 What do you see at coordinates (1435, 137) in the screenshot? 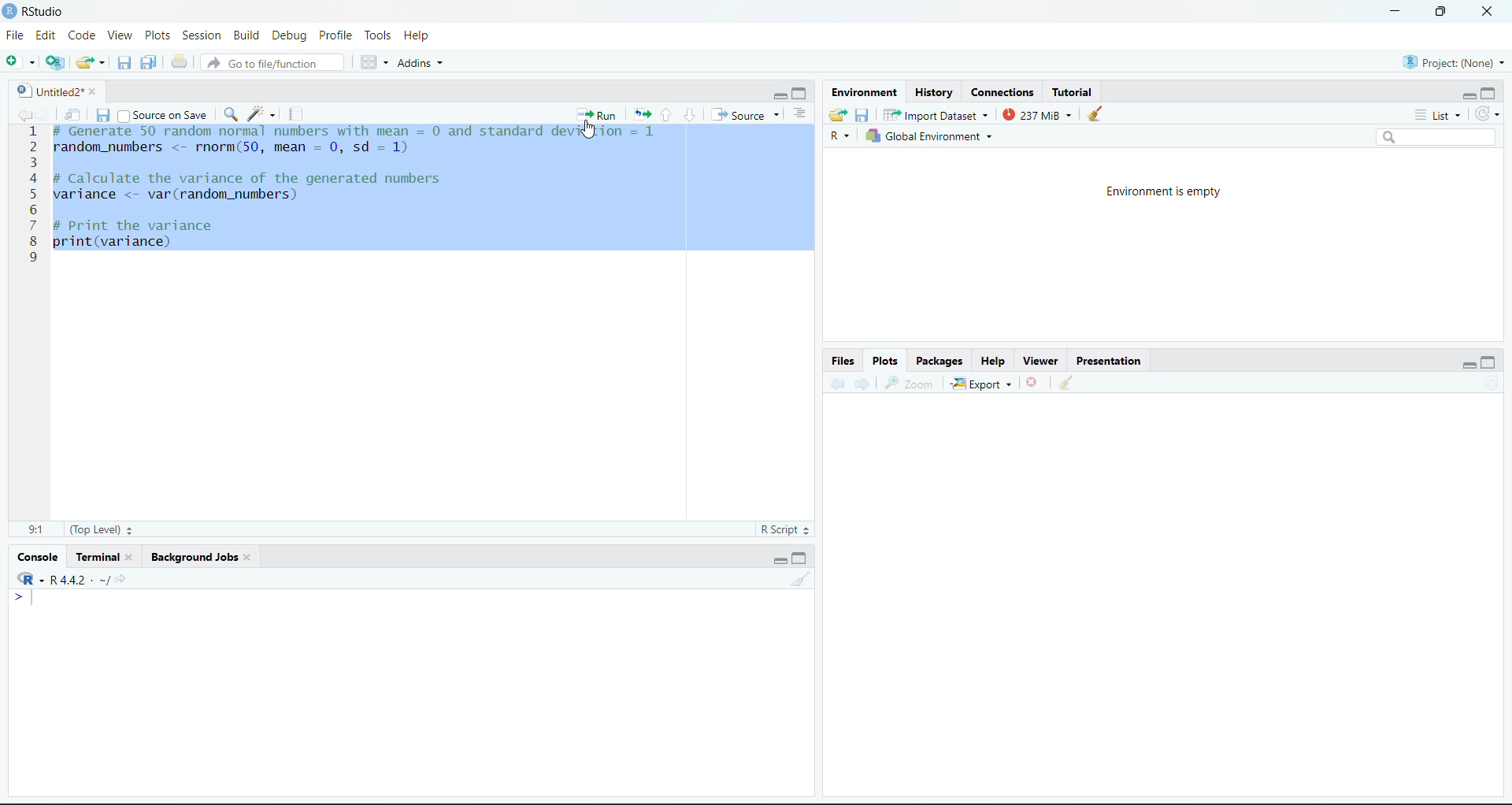
I see `search bar` at bounding box center [1435, 137].